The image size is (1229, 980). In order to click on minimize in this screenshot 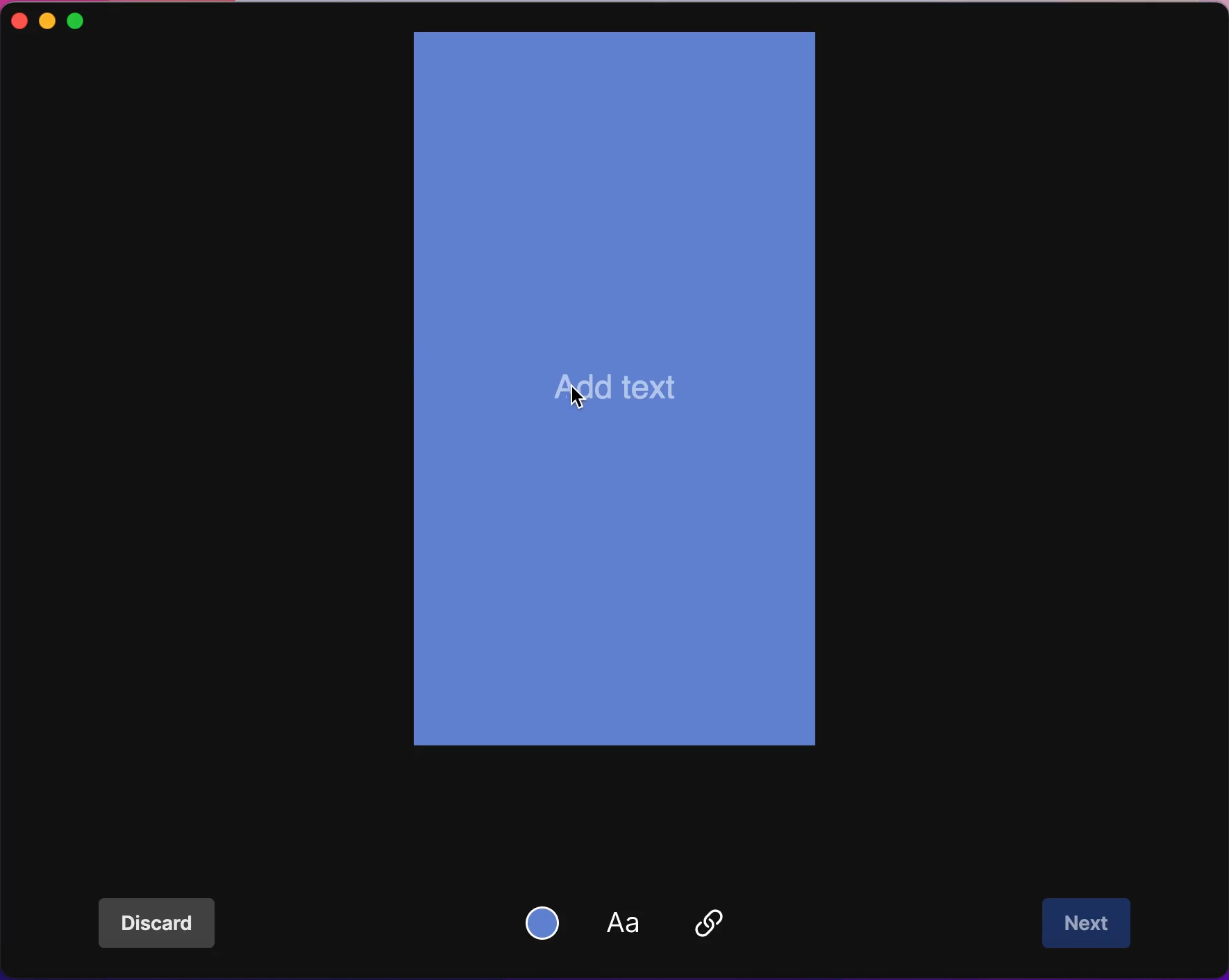, I will do `click(48, 21)`.